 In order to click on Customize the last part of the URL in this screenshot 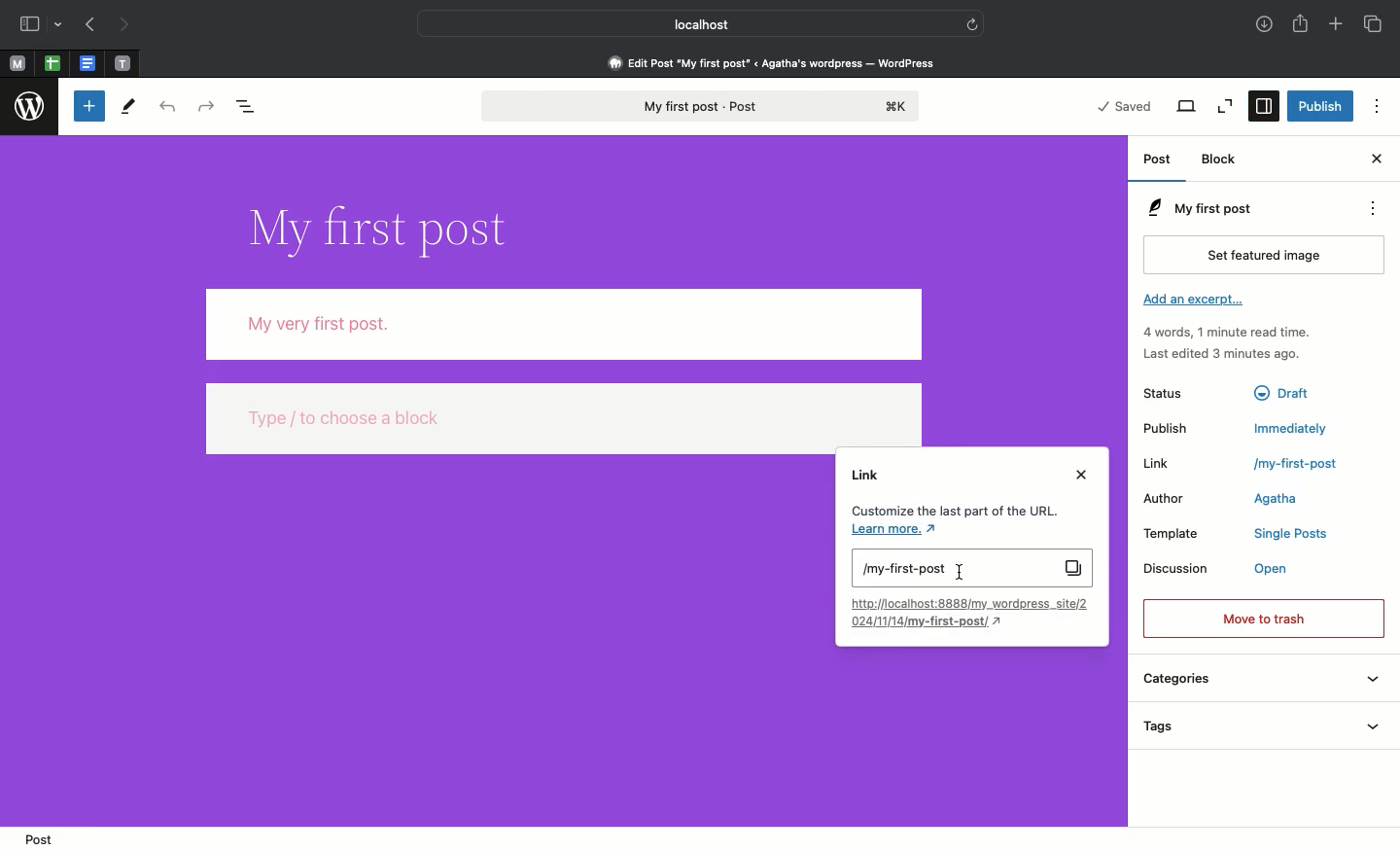, I will do `click(952, 521)`.